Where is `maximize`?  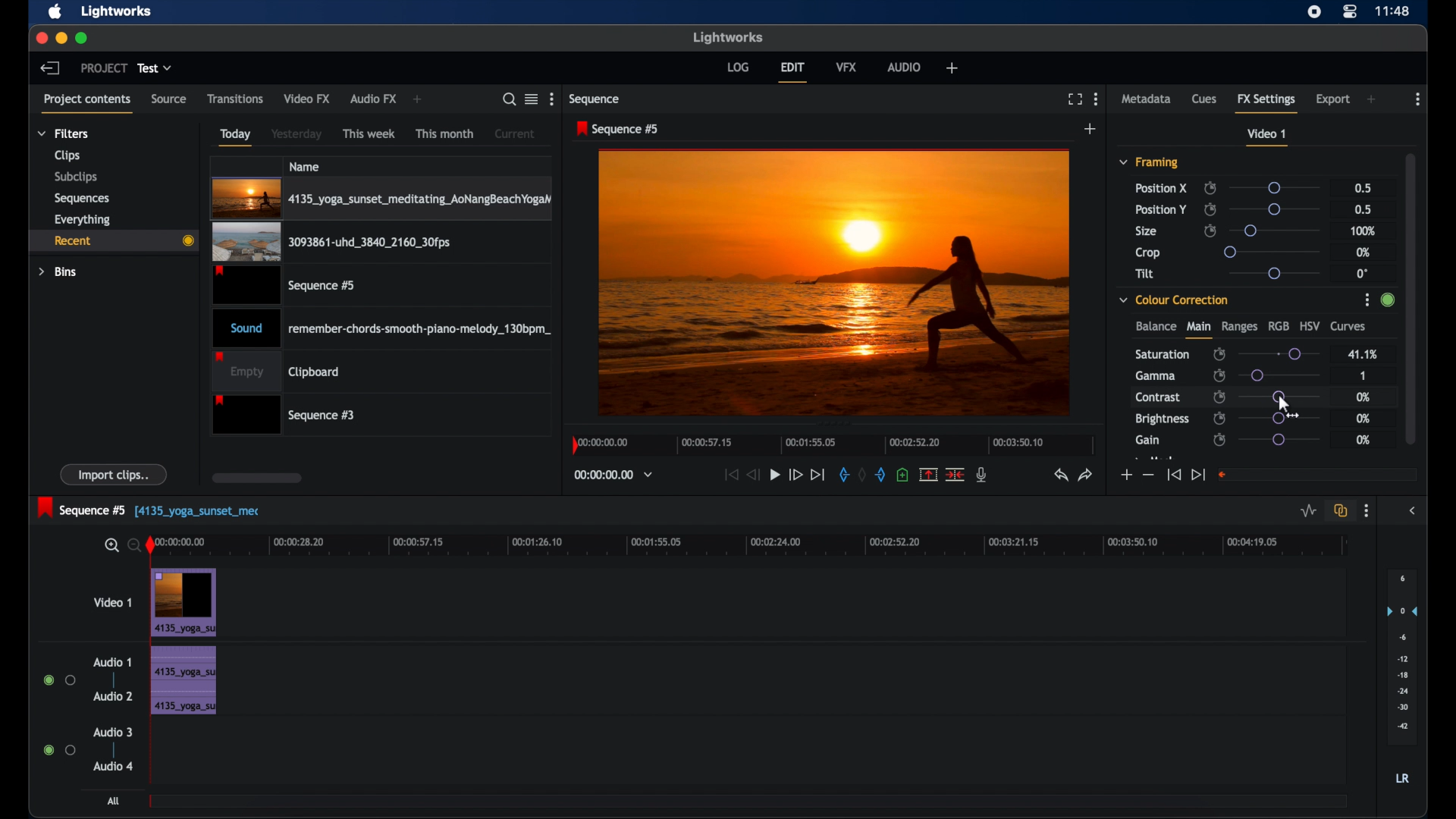
maximize is located at coordinates (82, 38).